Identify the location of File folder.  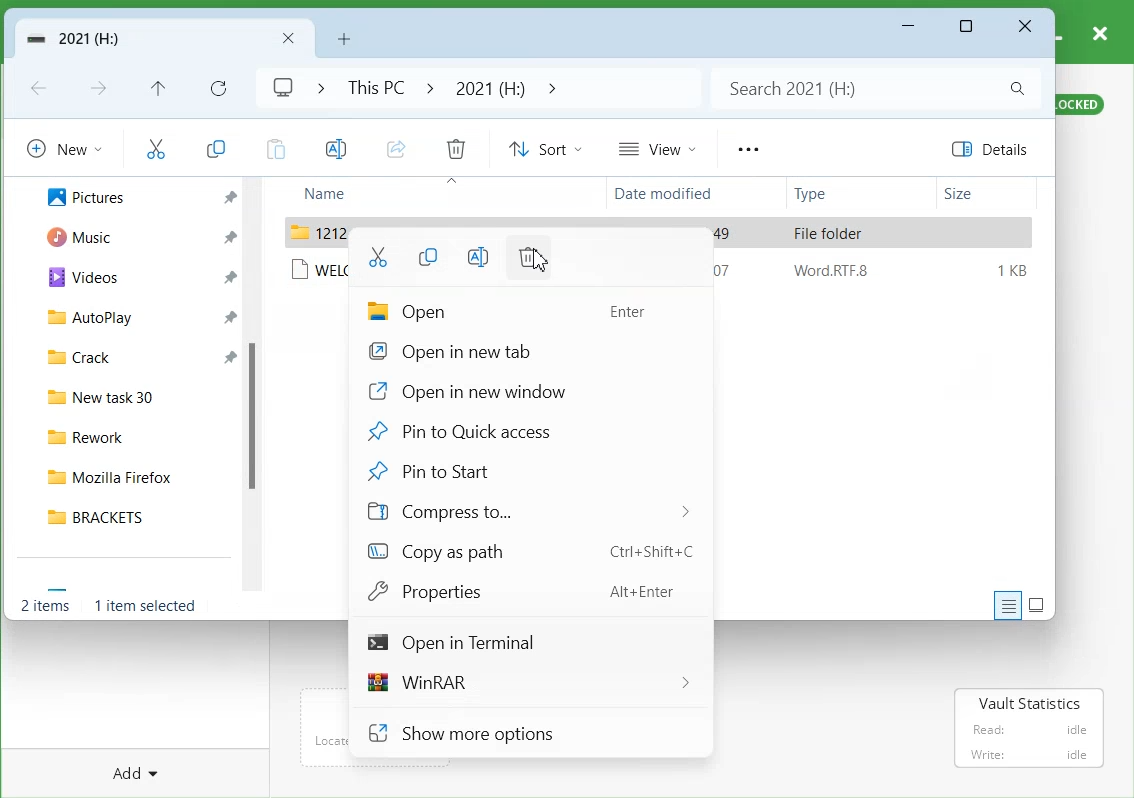
(831, 233).